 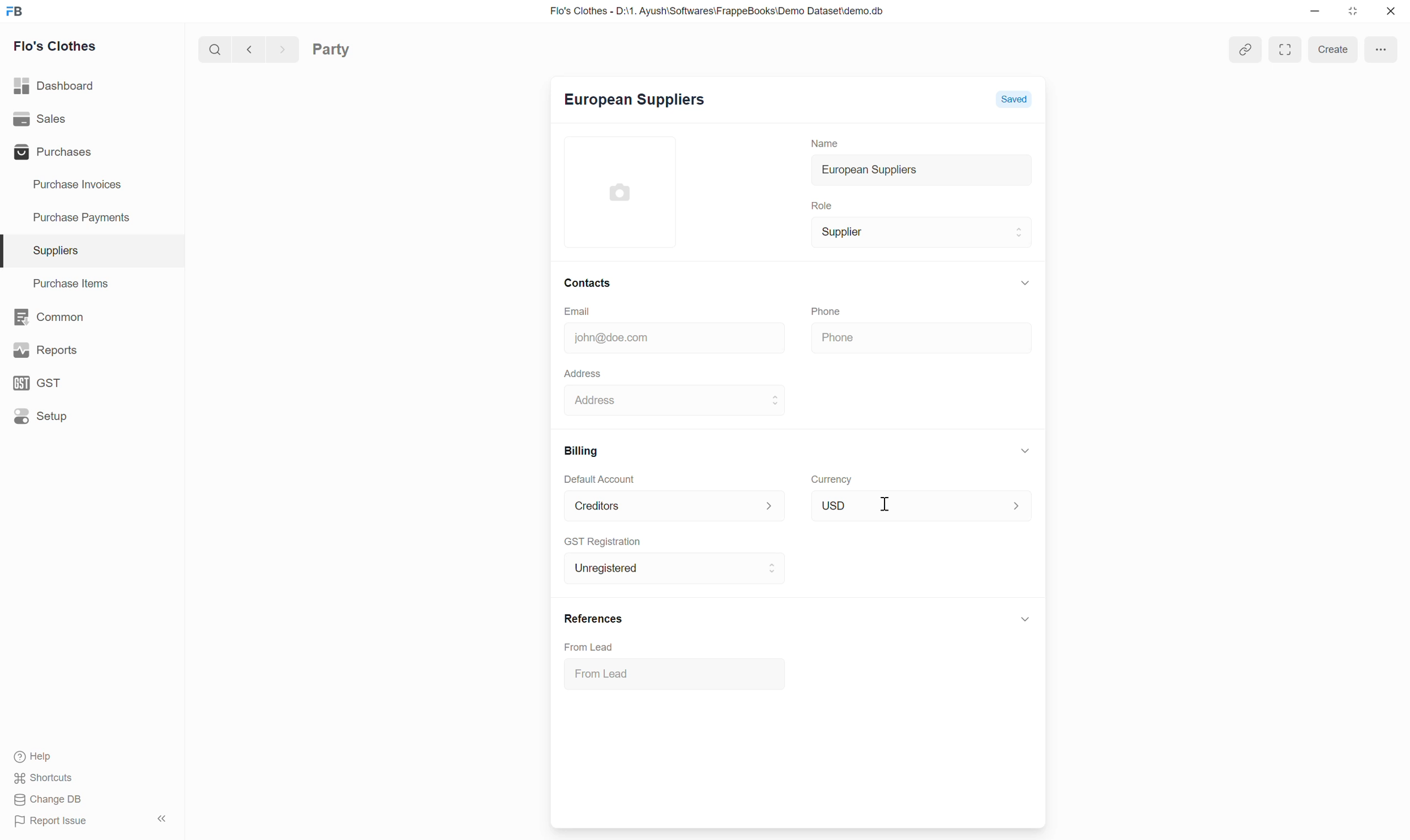 I want to click on Flo's Clothes - D:\1. Ayush\Softwares\FrappeBooks\Demo Dataset\demo.db, so click(x=704, y=9).